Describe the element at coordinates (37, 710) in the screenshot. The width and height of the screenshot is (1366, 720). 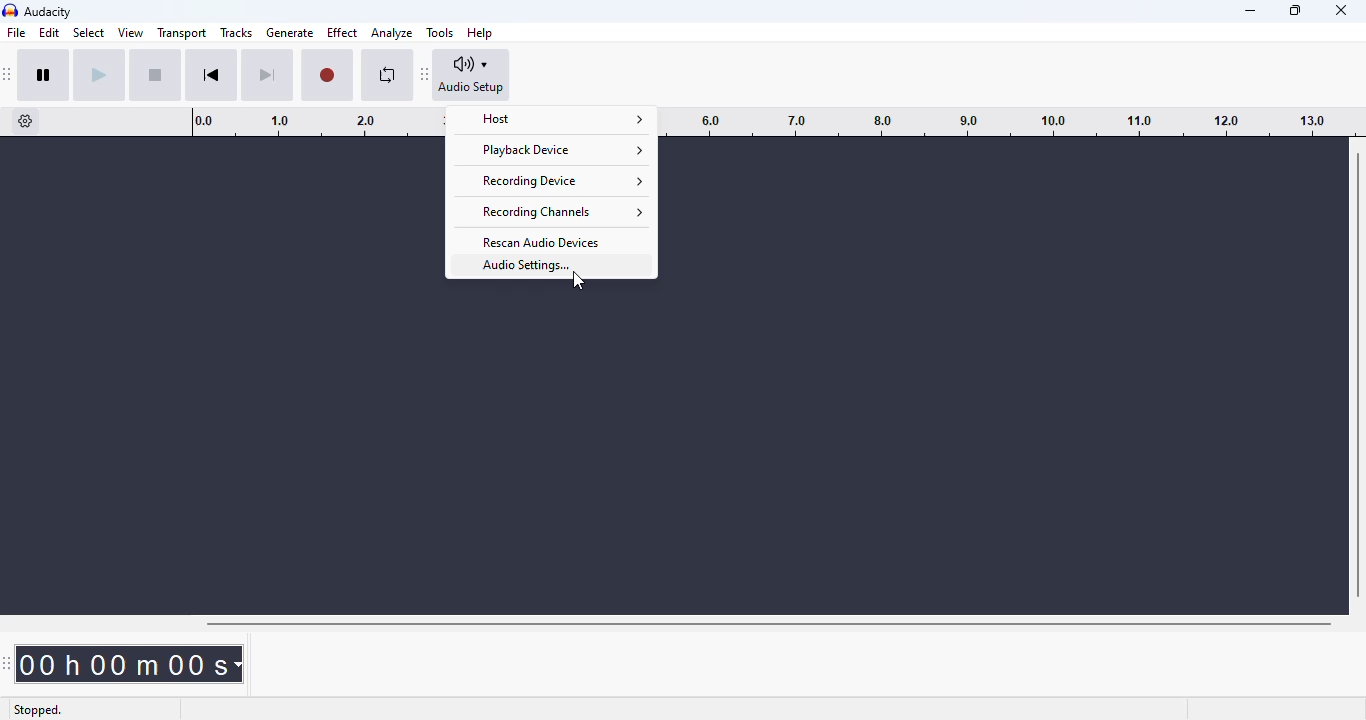
I see `stopped` at that location.